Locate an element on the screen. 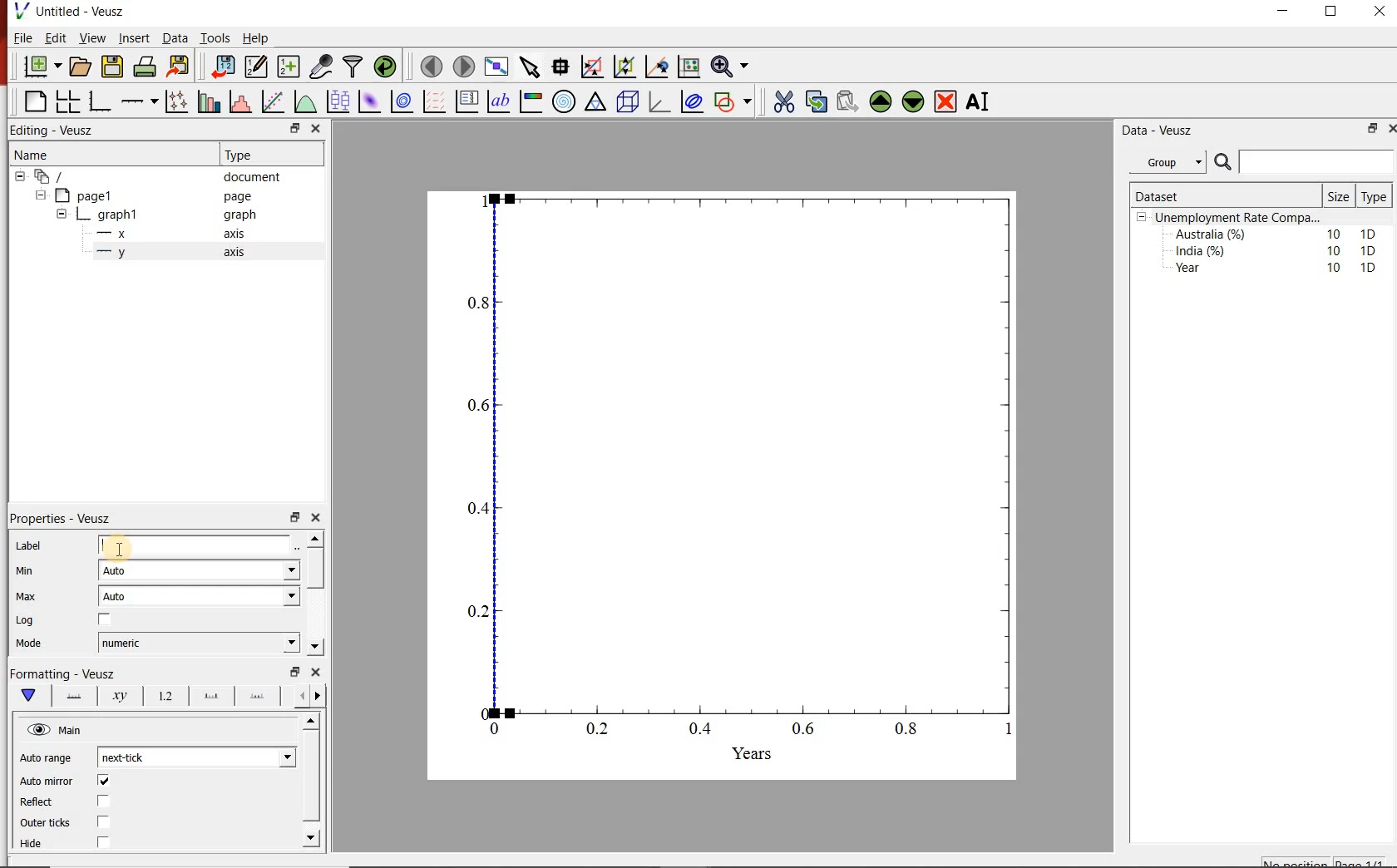  caputure remote data is located at coordinates (323, 66).